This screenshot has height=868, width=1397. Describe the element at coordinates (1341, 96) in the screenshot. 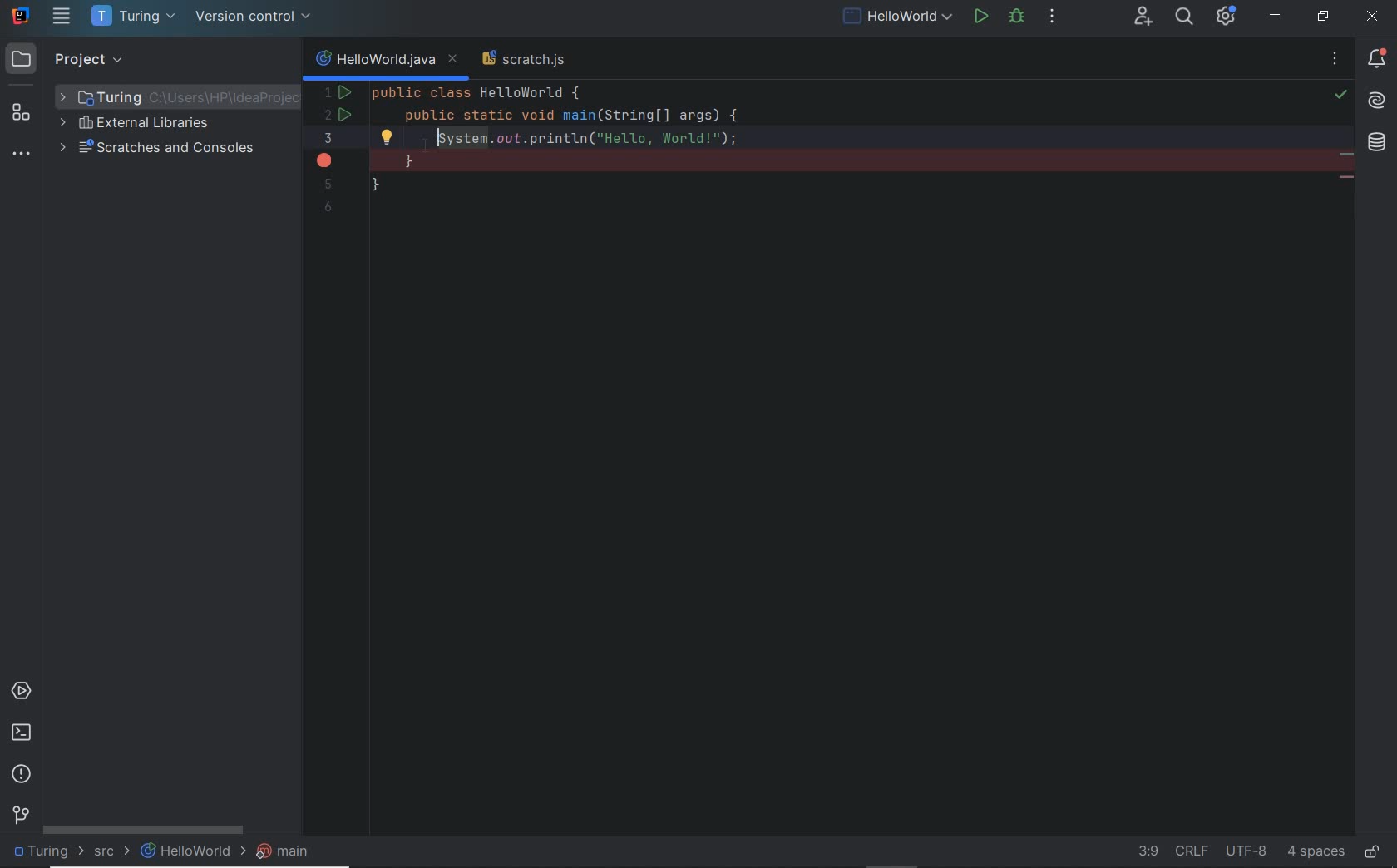

I see `highlights problems: no problem` at that location.